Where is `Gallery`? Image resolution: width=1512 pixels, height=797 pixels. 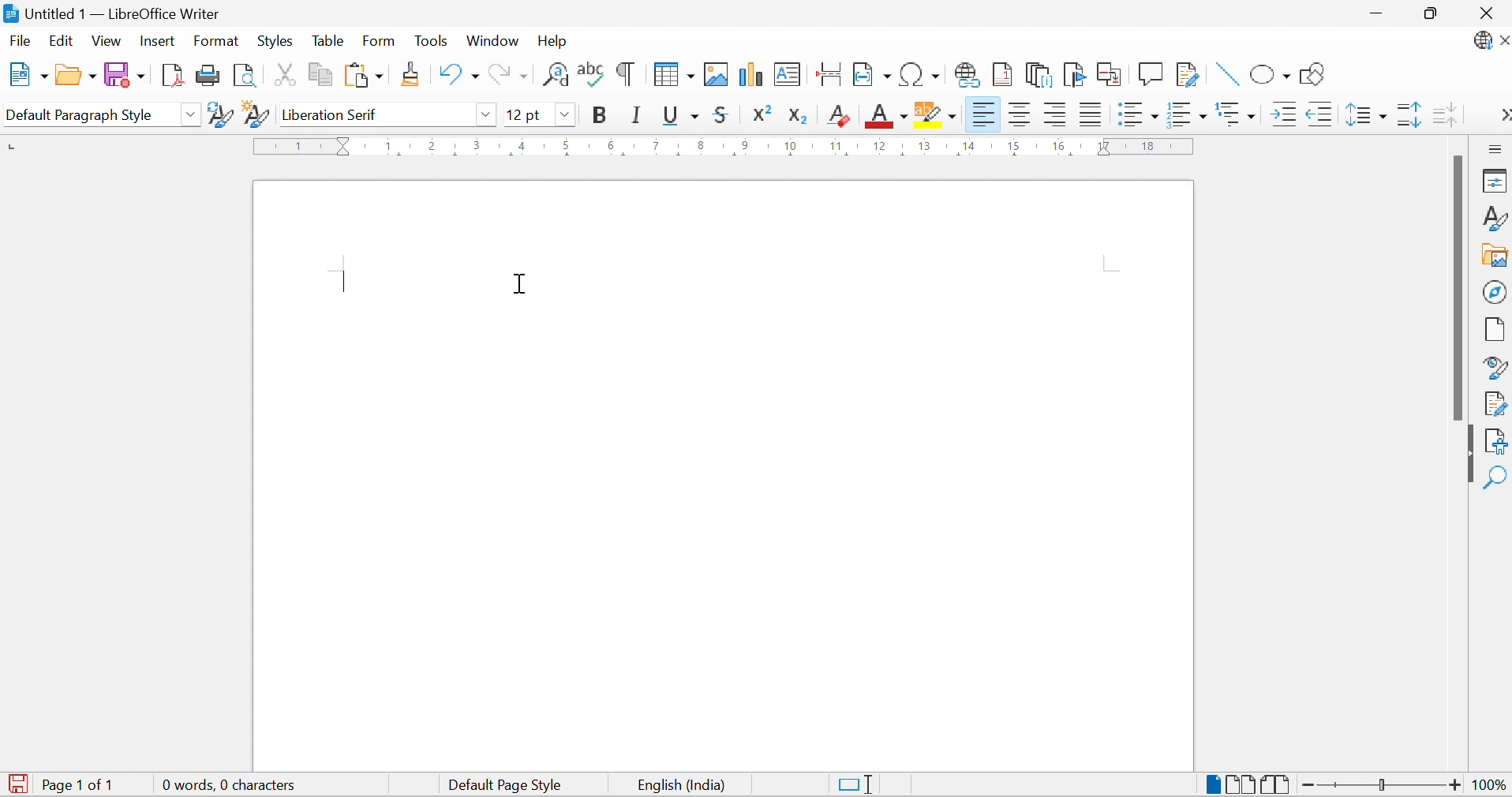 Gallery is located at coordinates (1496, 256).